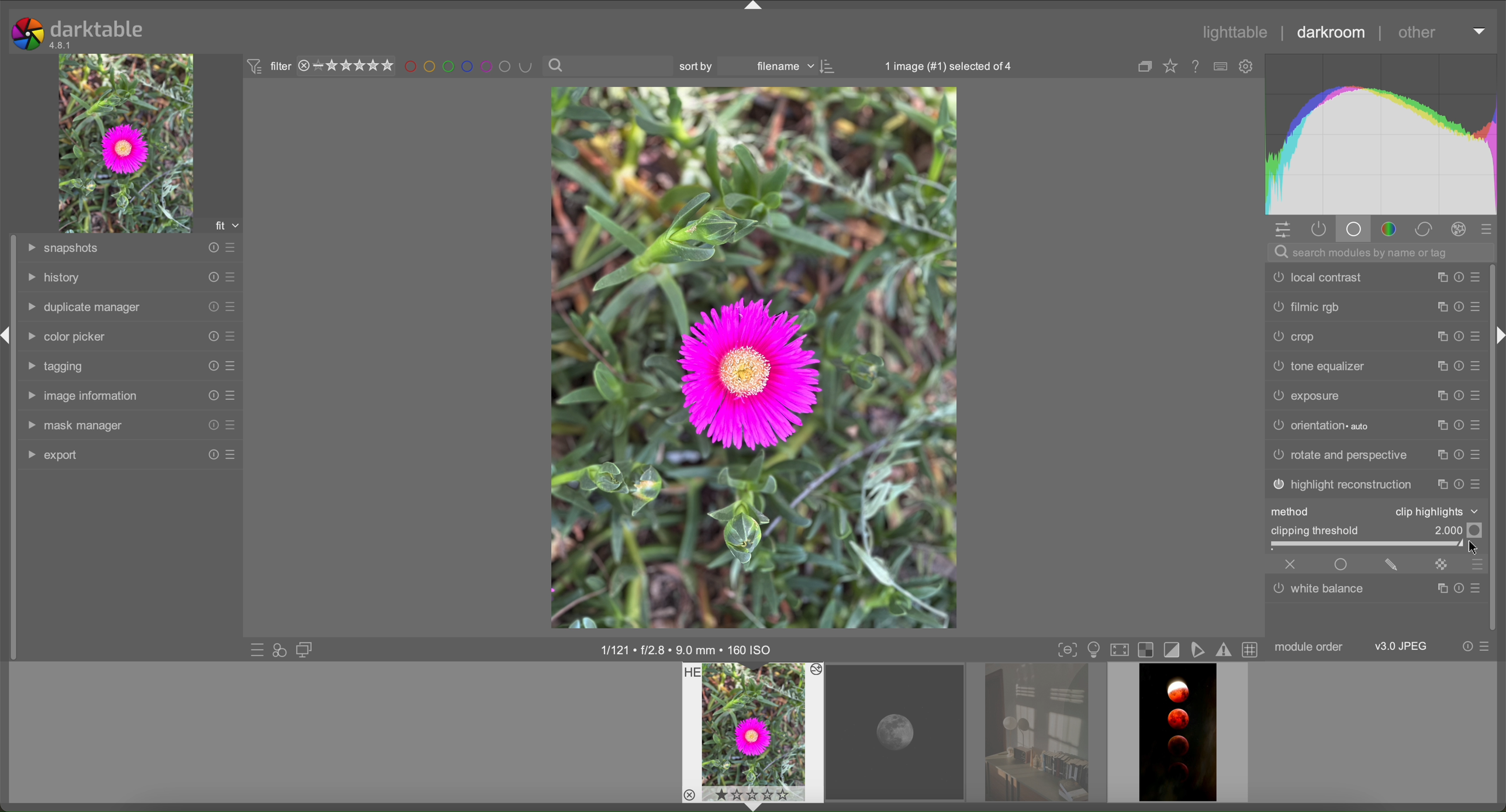 The width and height of the screenshot is (1506, 812). What do you see at coordinates (1477, 307) in the screenshot?
I see `presets` at bounding box center [1477, 307].